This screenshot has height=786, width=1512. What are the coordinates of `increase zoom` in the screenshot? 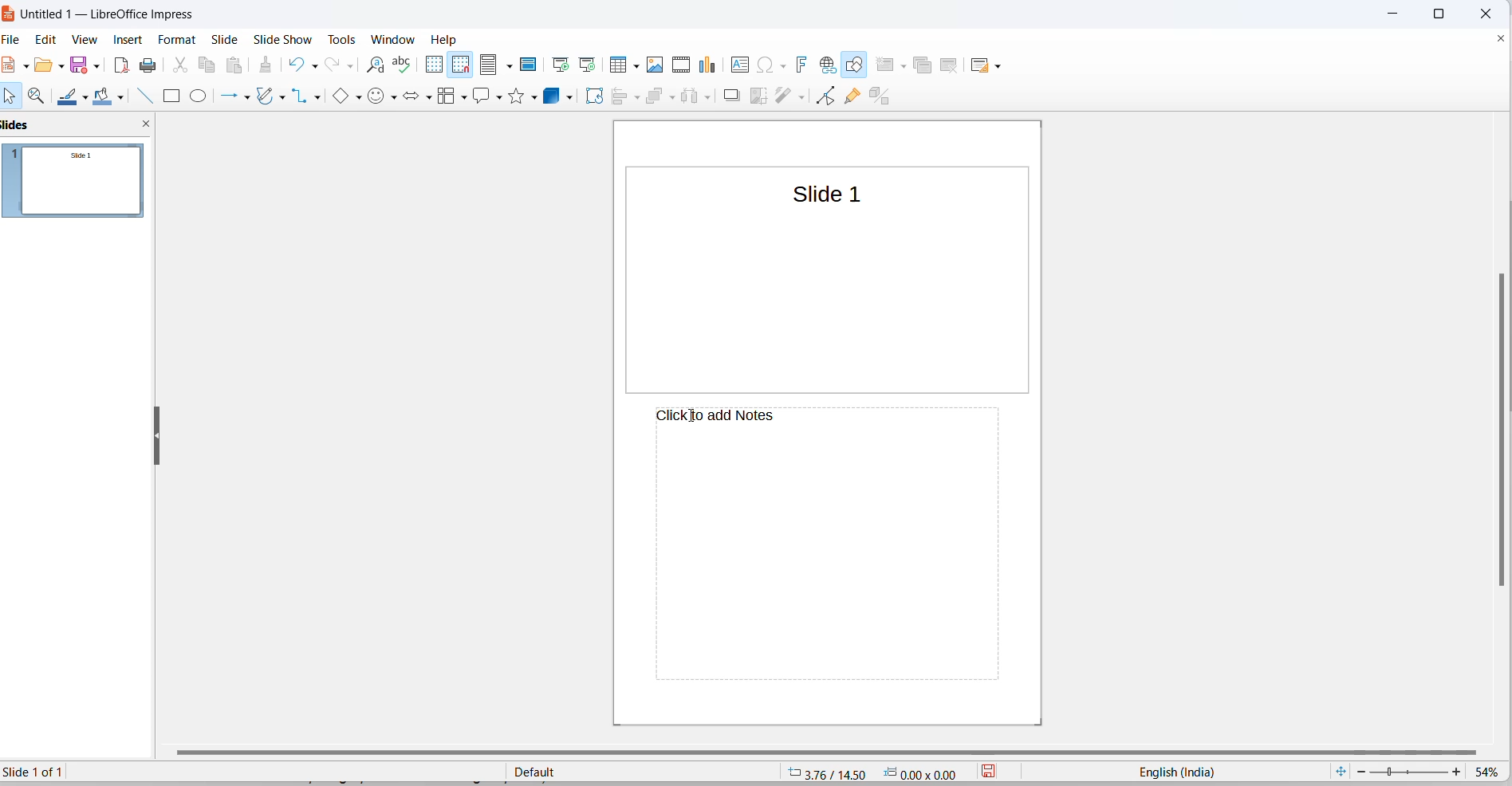 It's located at (1458, 773).